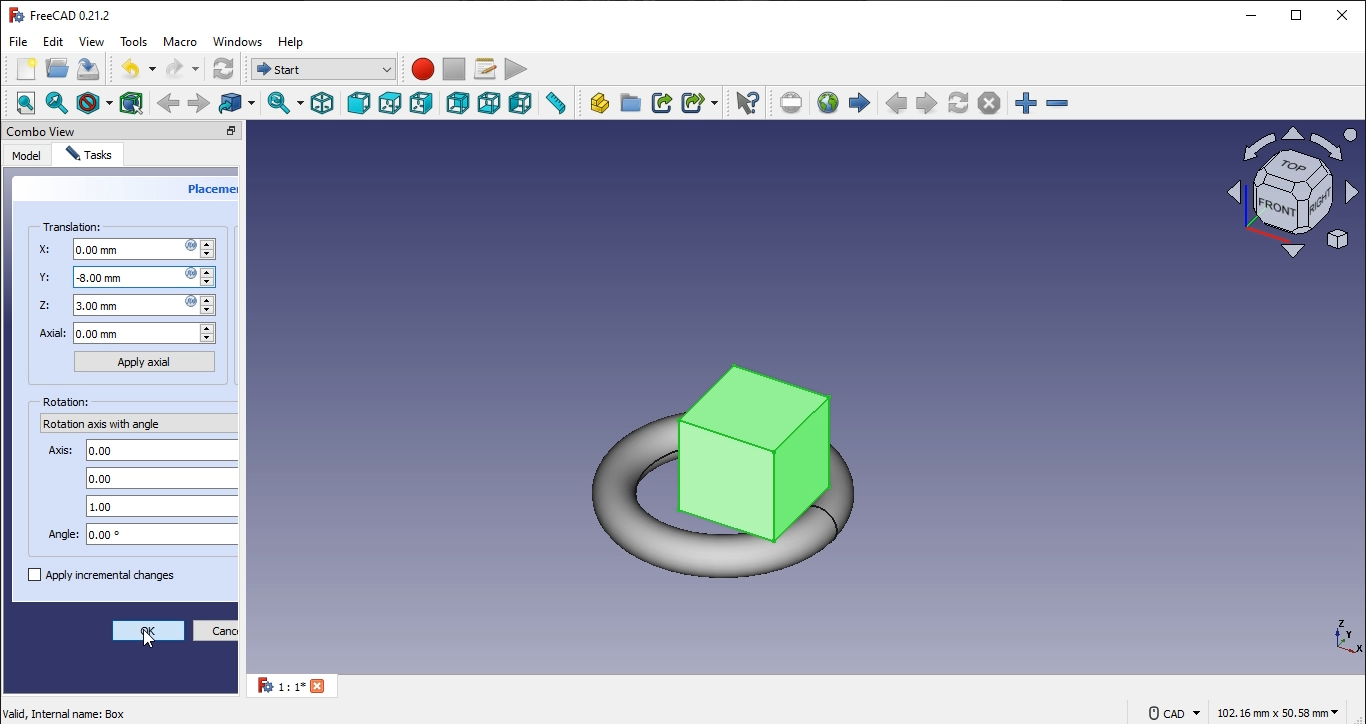  What do you see at coordinates (141, 450) in the screenshot?
I see `axis` at bounding box center [141, 450].